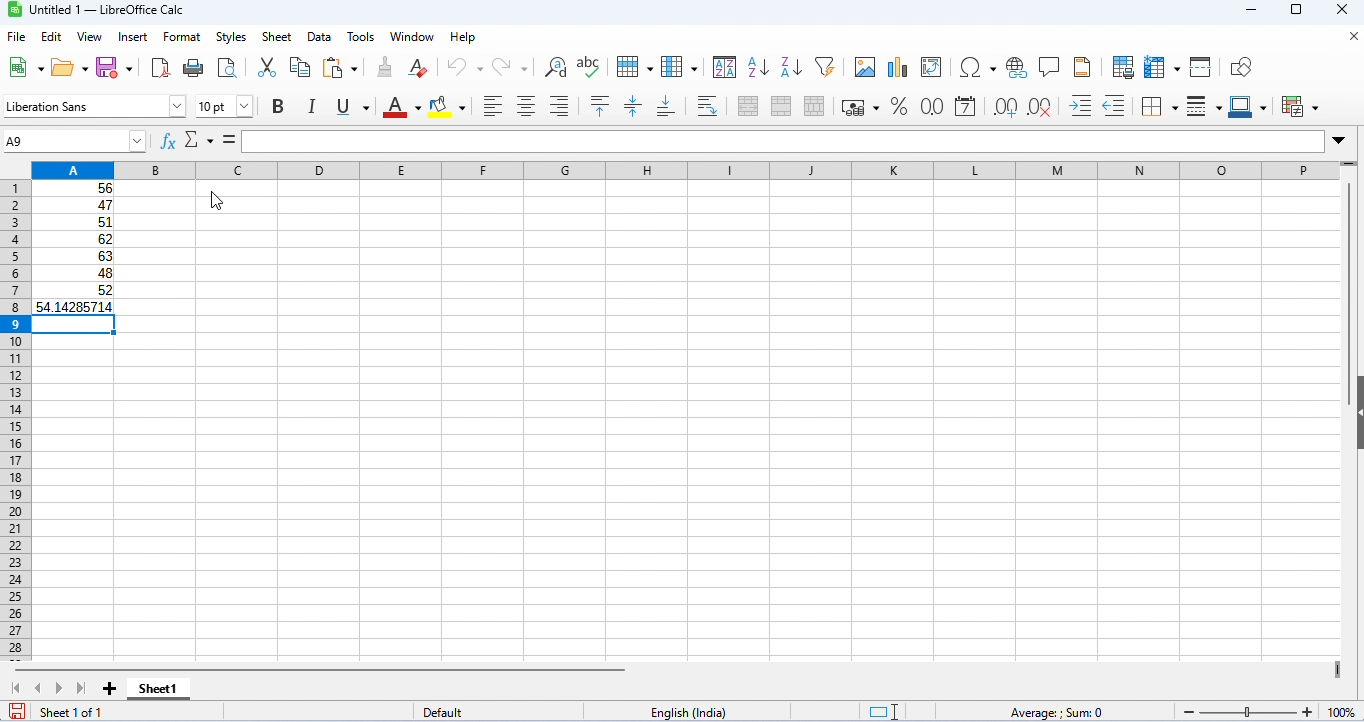  What do you see at coordinates (1339, 141) in the screenshot?
I see `expand` at bounding box center [1339, 141].